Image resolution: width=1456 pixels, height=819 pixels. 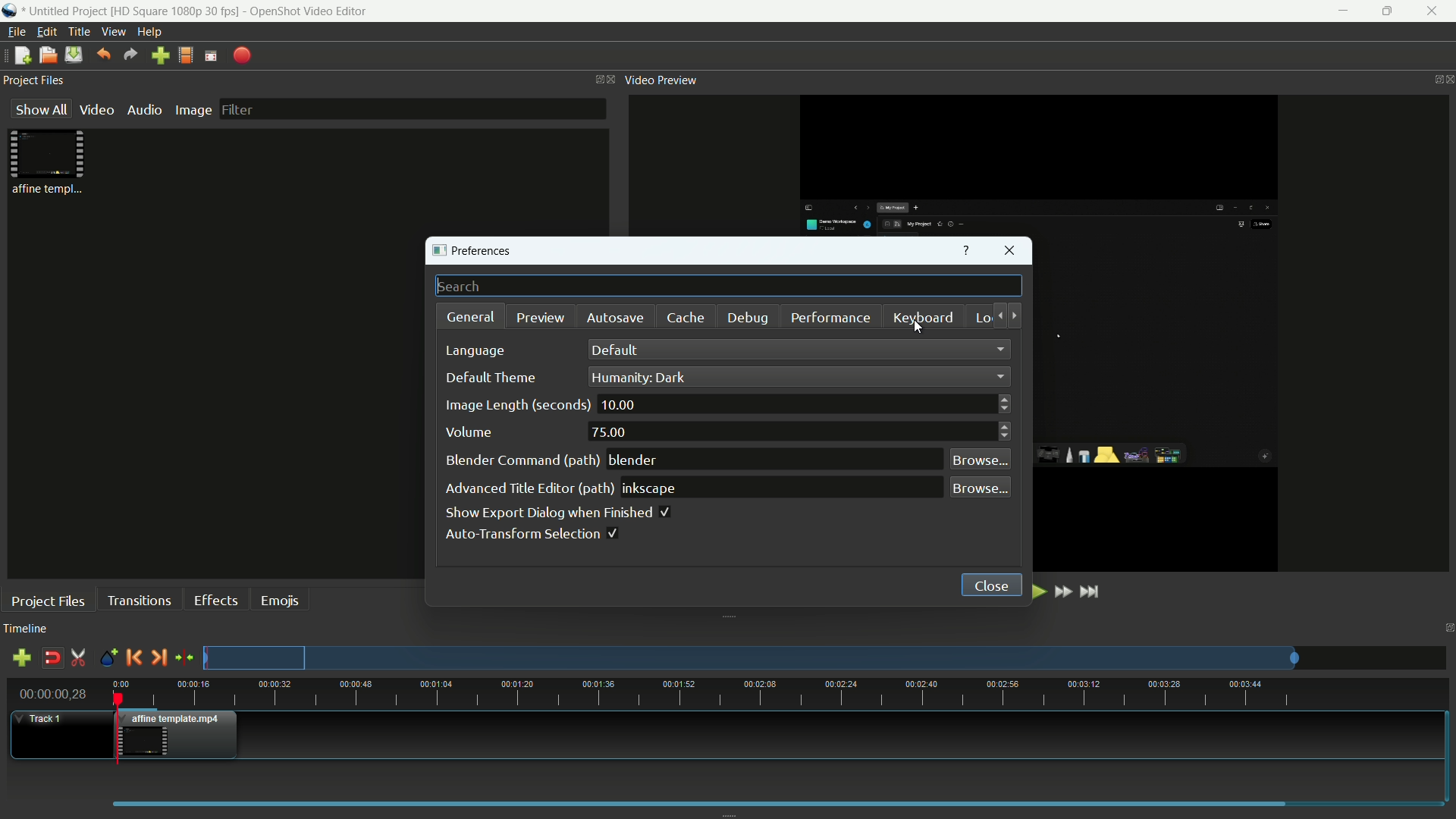 What do you see at coordinates (67, 12) in the screenshot?
I see `project name` at bounding box center [67, 12].